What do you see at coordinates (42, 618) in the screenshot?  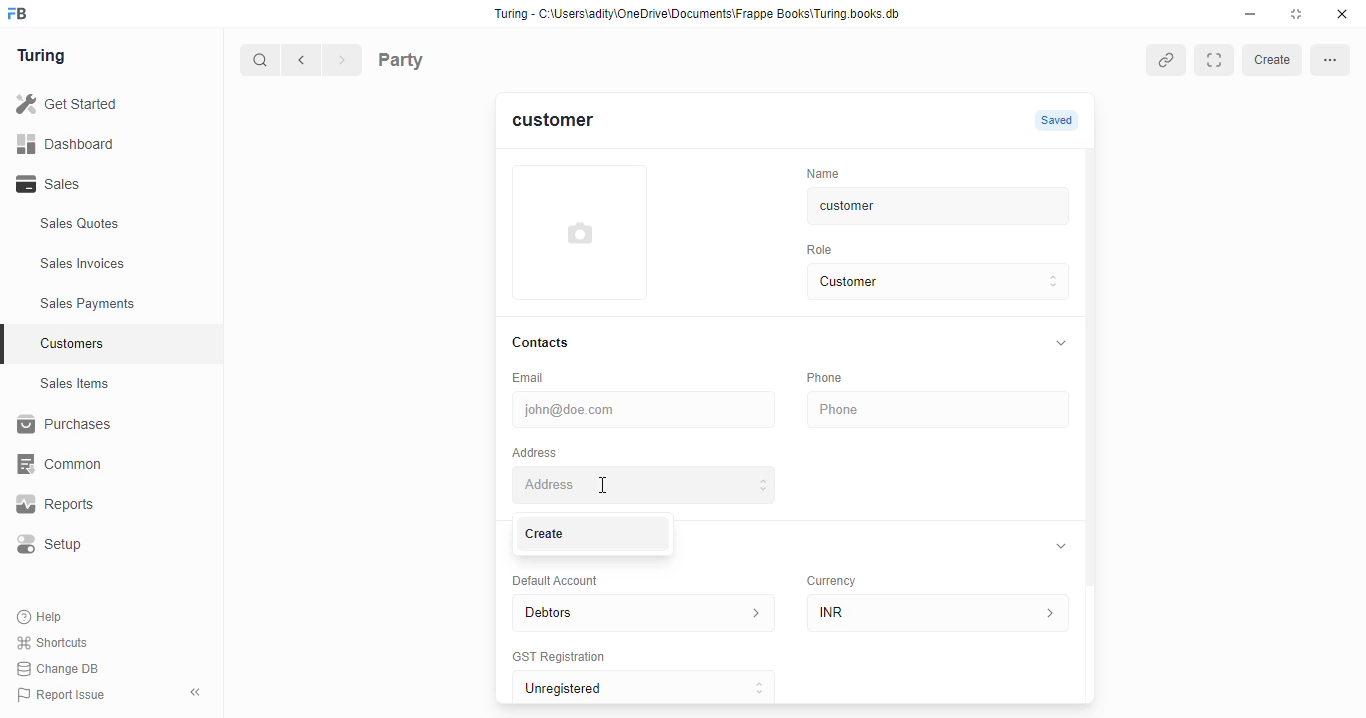 I see `Help` at bounding box center [42, 618].